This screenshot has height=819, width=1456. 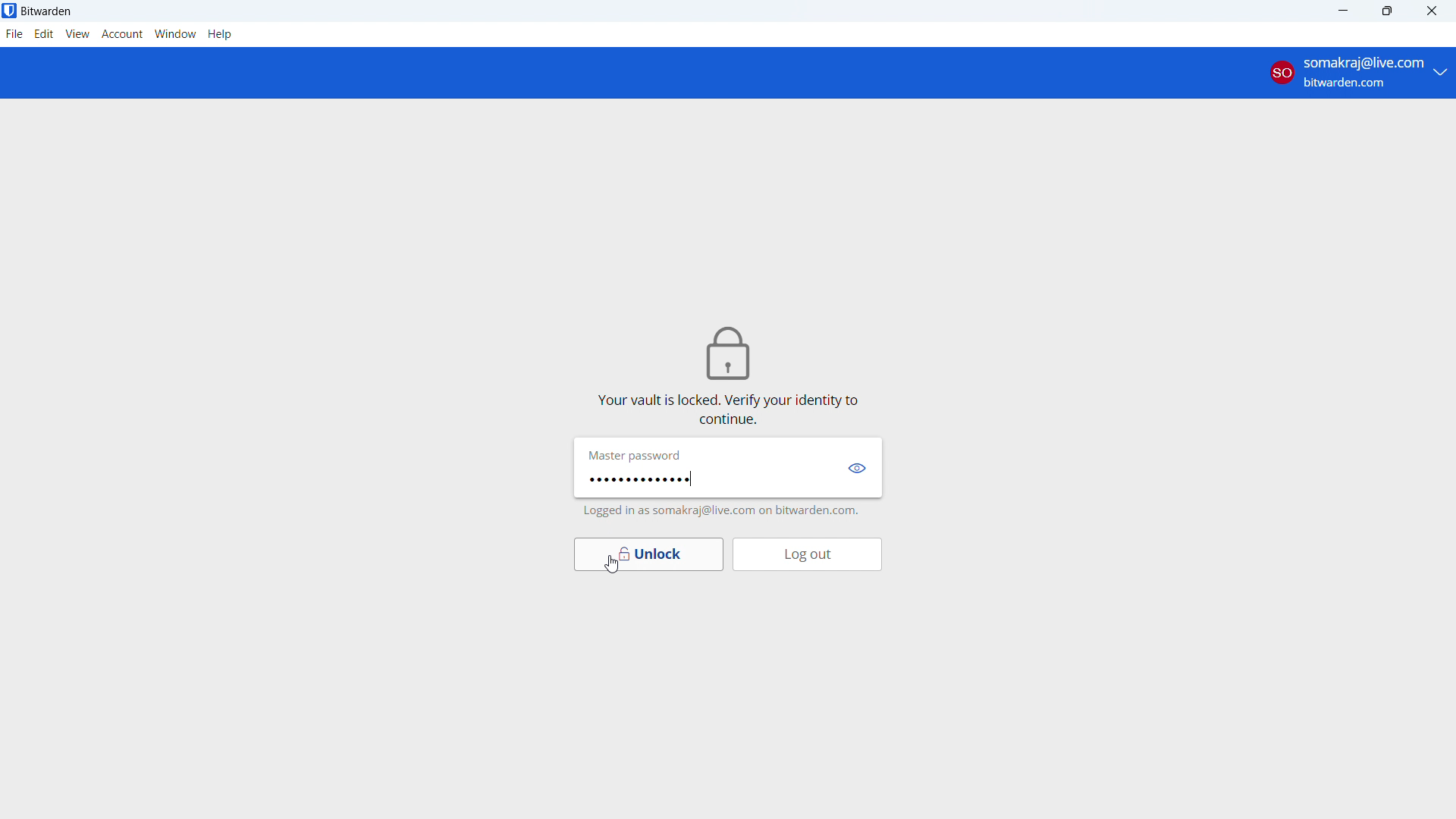 I want to click on account, so click(x=1359, y=72).